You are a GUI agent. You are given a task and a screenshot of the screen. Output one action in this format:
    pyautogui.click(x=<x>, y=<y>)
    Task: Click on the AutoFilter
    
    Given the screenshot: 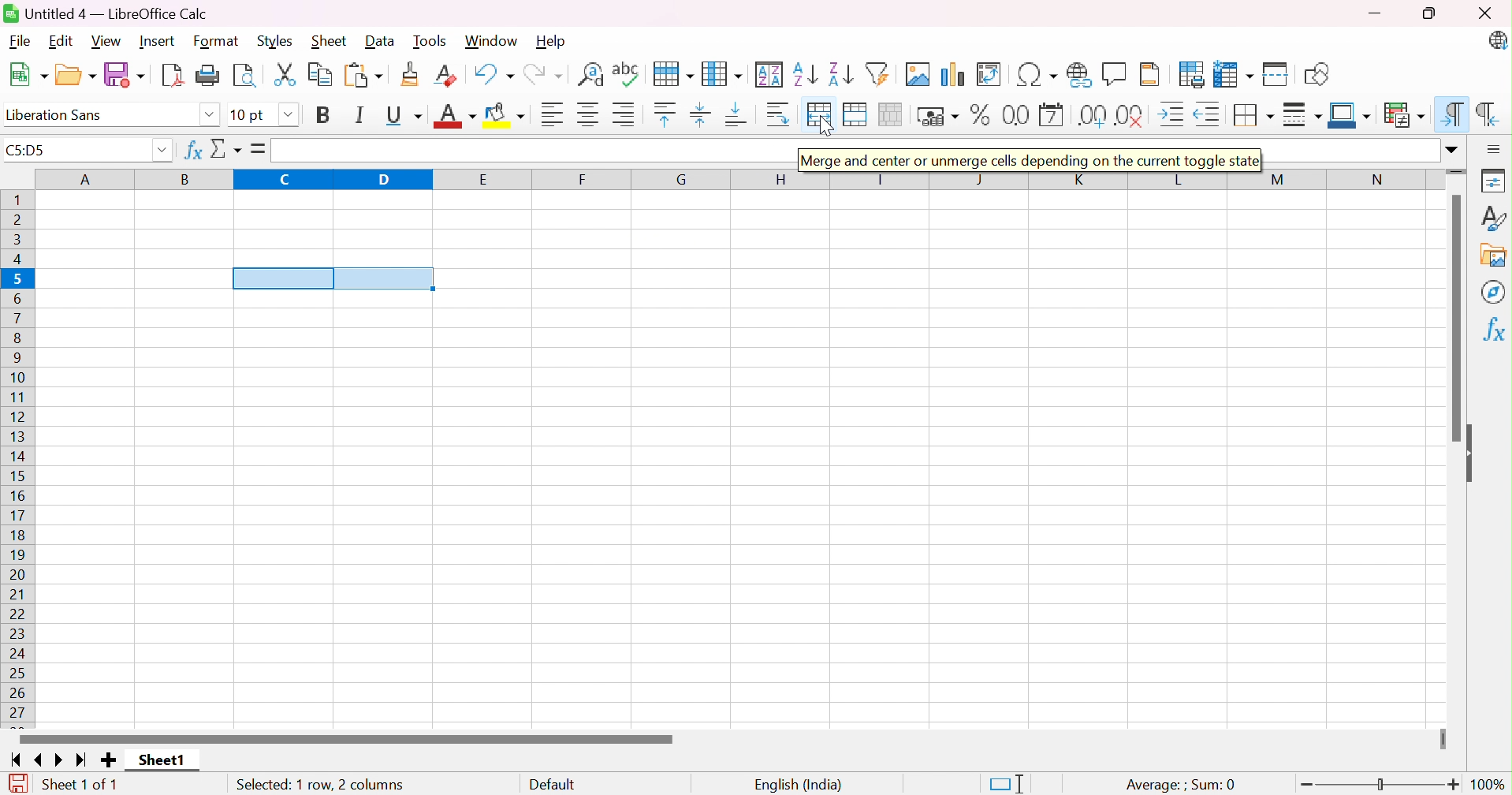 What is the action you would take?
    pyautogui.click(x=879, y=73)
    